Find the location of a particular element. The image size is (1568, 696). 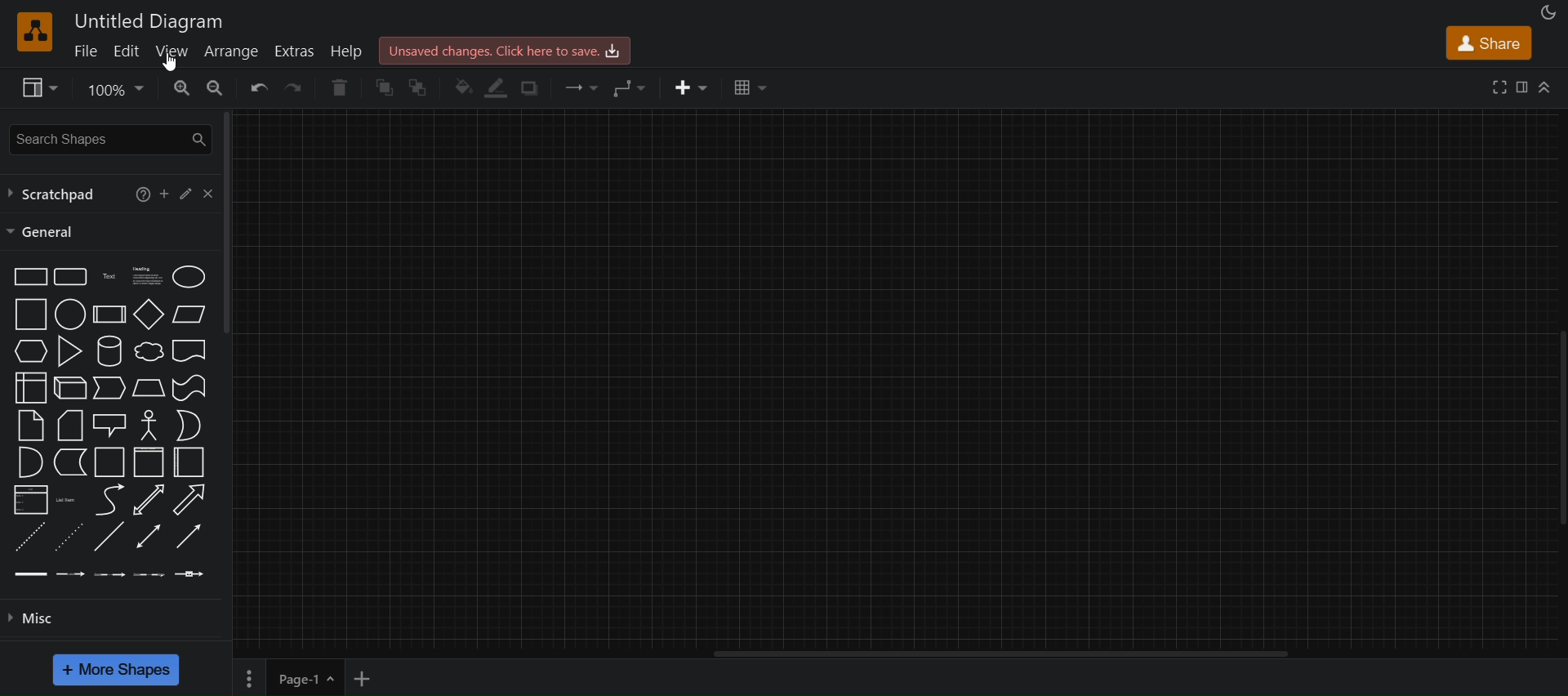

waypoints is located at coordinates (633, 86).